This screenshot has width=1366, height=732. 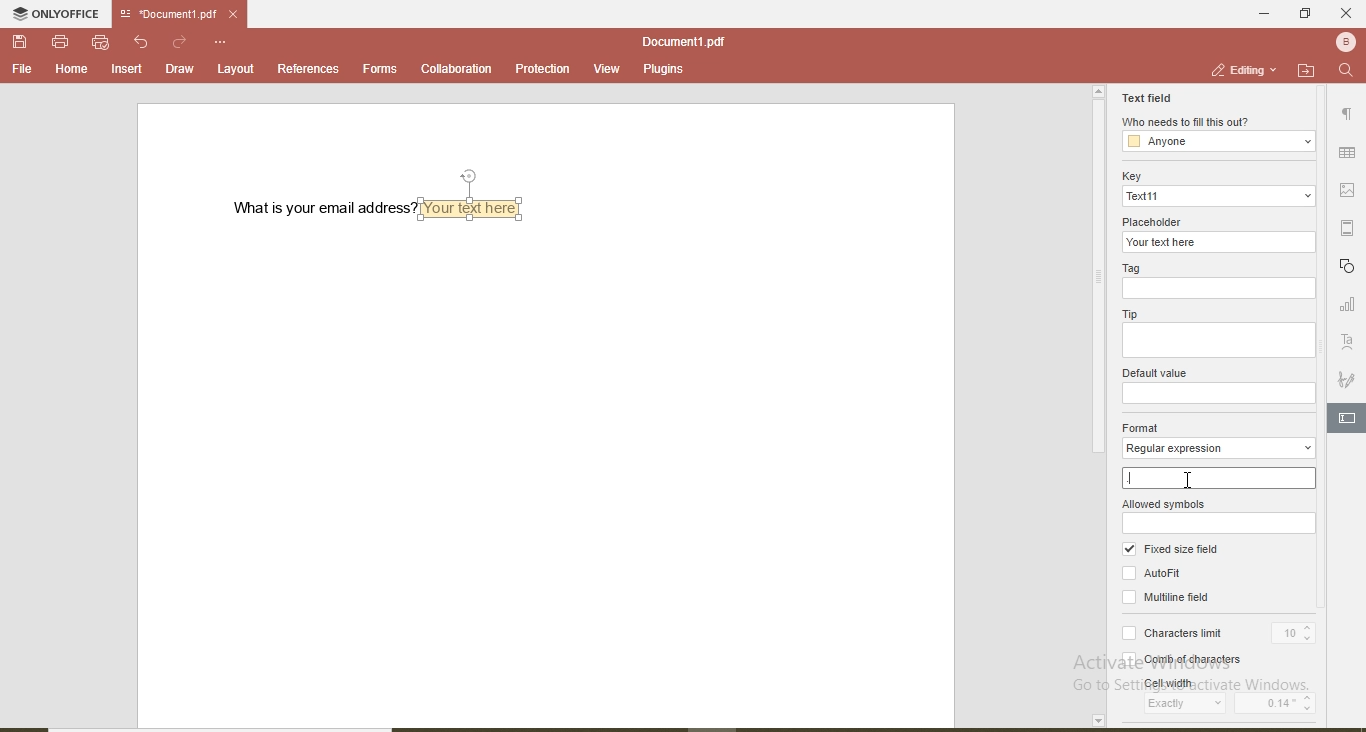 I want to click on picture, so click(x=1351, y=189).